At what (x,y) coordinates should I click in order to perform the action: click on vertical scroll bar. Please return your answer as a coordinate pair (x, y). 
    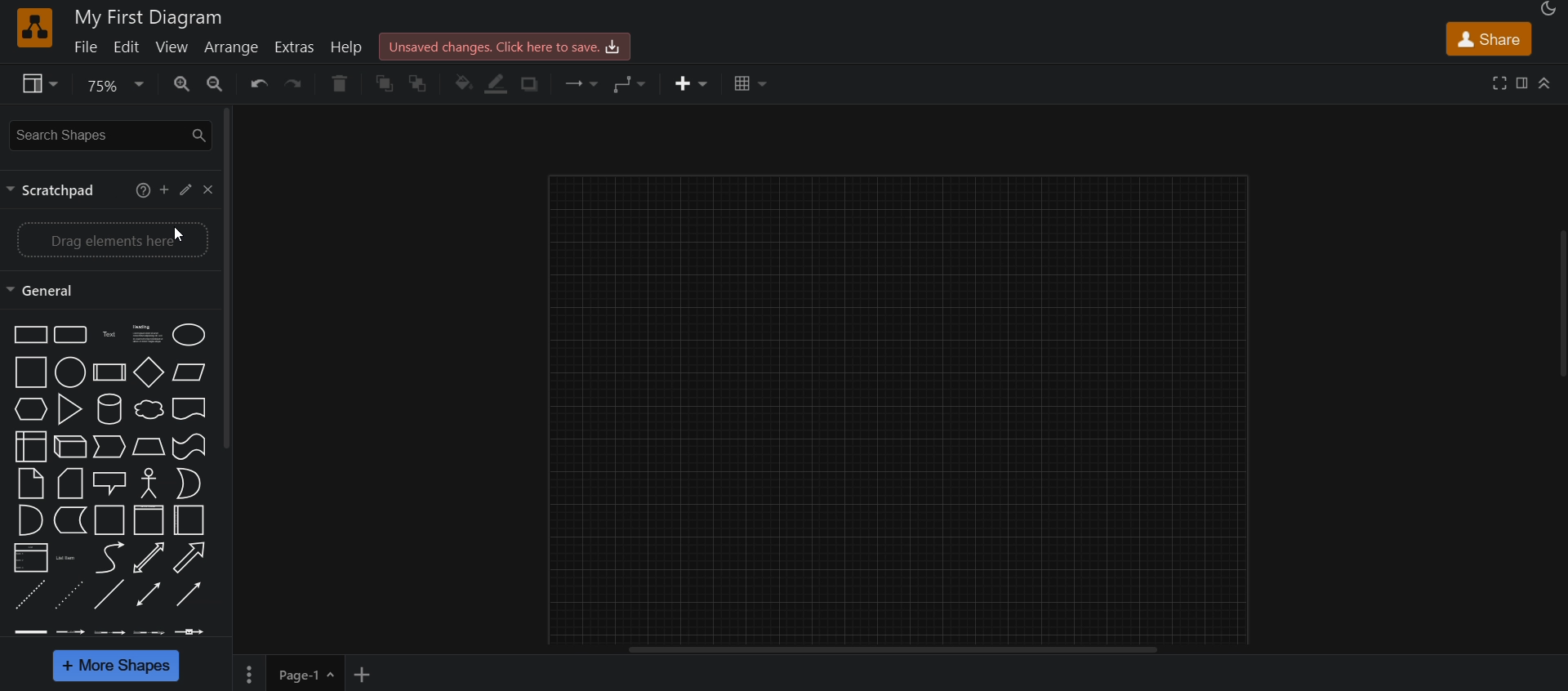
    Looking at the image, I should click on (229, 276).